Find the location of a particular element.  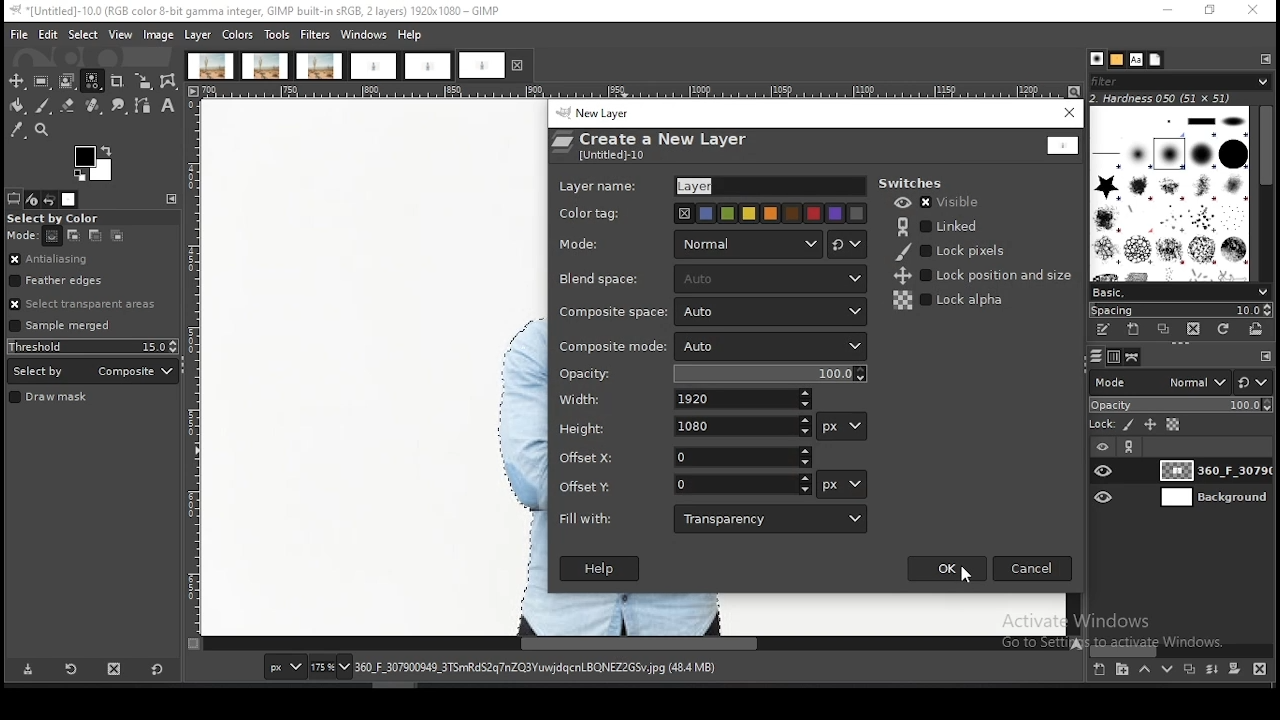

layer visibility on/off is located at coordinates (1105, 498).